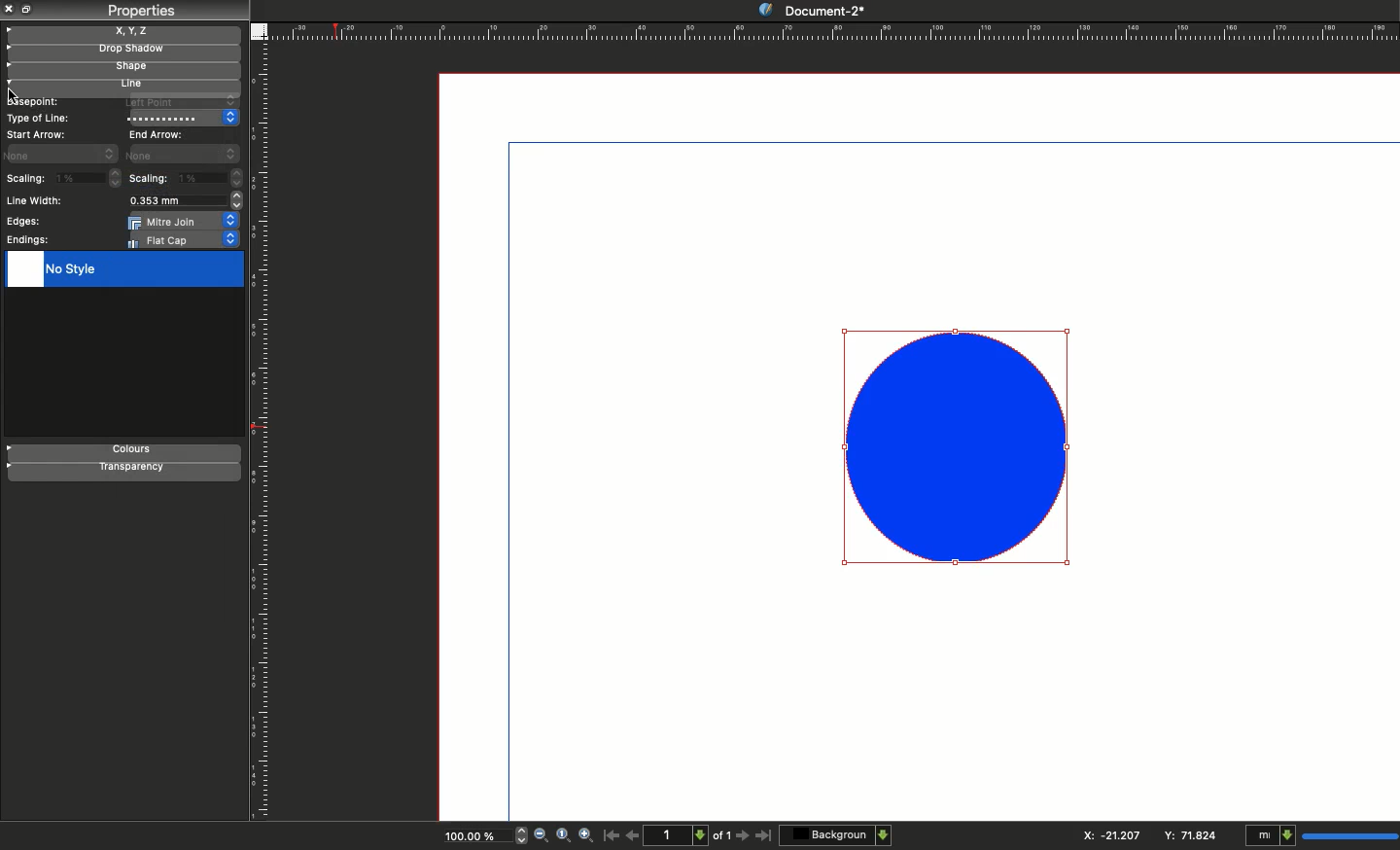 The height and width of the screenshot is (850, 1400). Describe the element at coordinates (21, 222) in the screenshot. I see `Edges` at that location.